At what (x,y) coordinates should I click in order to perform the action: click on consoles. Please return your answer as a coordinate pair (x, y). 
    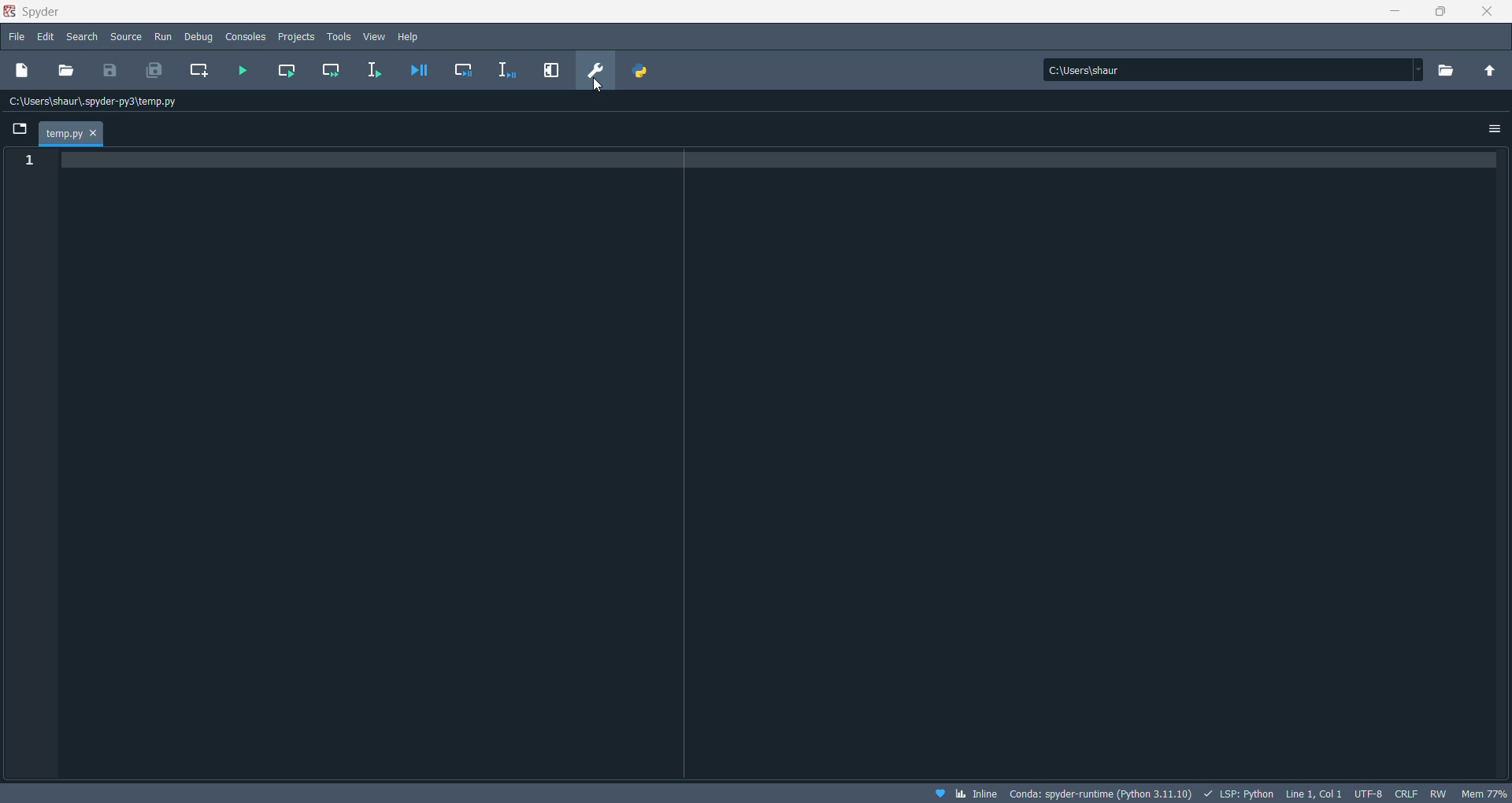
    Looking at the image, I should click on (247, 37).